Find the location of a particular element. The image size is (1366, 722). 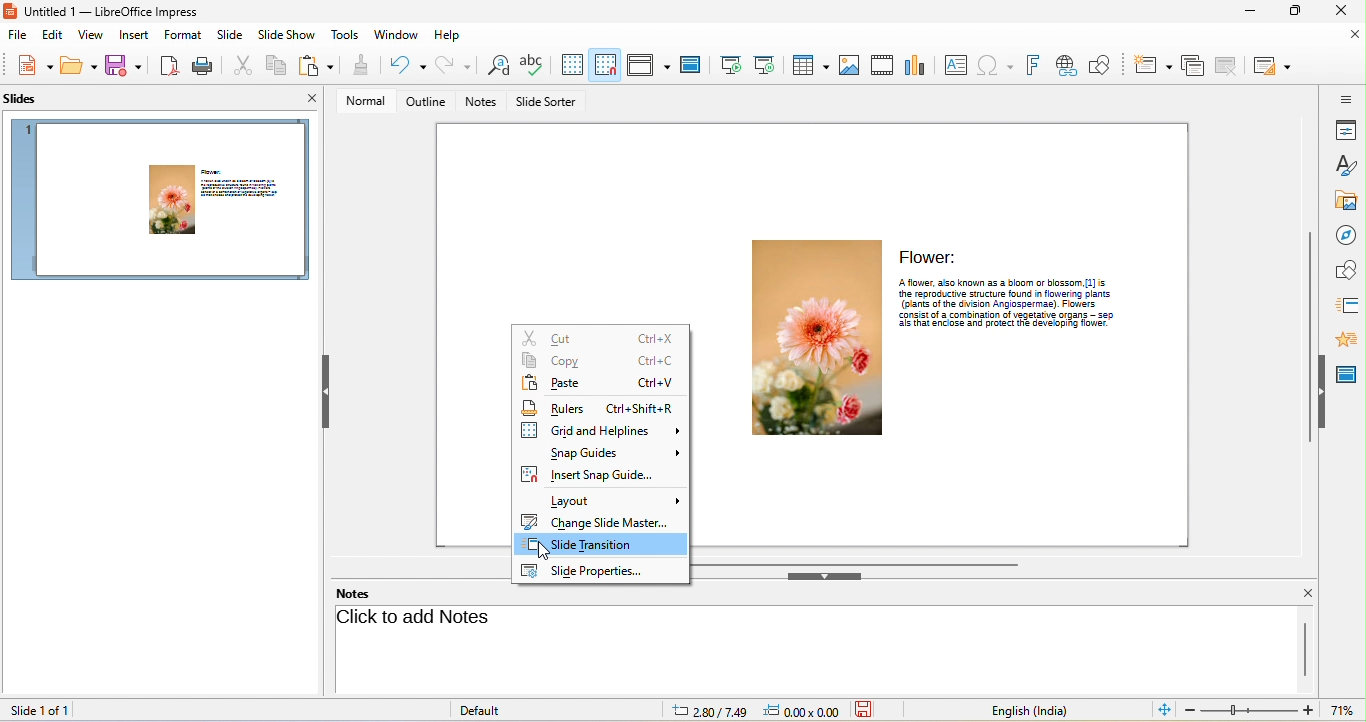

paste is located at coordinates (600, 383).